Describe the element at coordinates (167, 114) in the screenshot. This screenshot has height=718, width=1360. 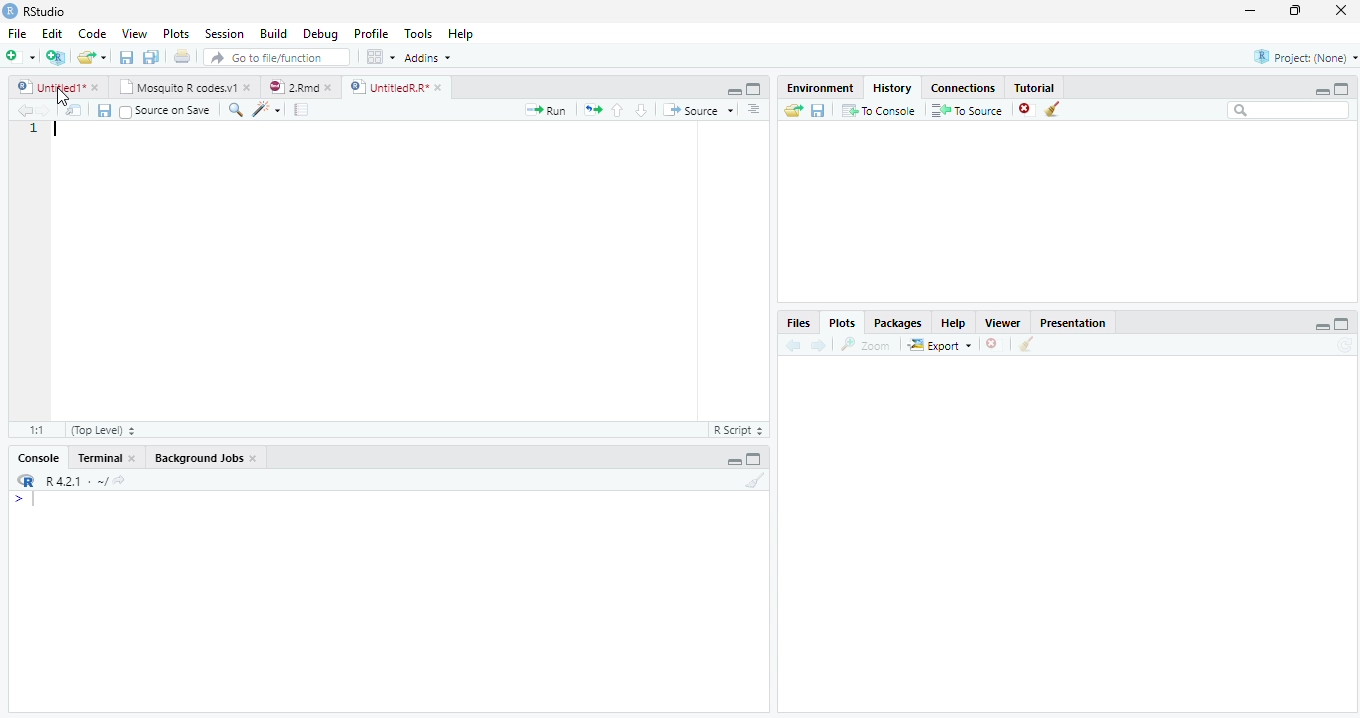
I see `Source on Save` at that location.